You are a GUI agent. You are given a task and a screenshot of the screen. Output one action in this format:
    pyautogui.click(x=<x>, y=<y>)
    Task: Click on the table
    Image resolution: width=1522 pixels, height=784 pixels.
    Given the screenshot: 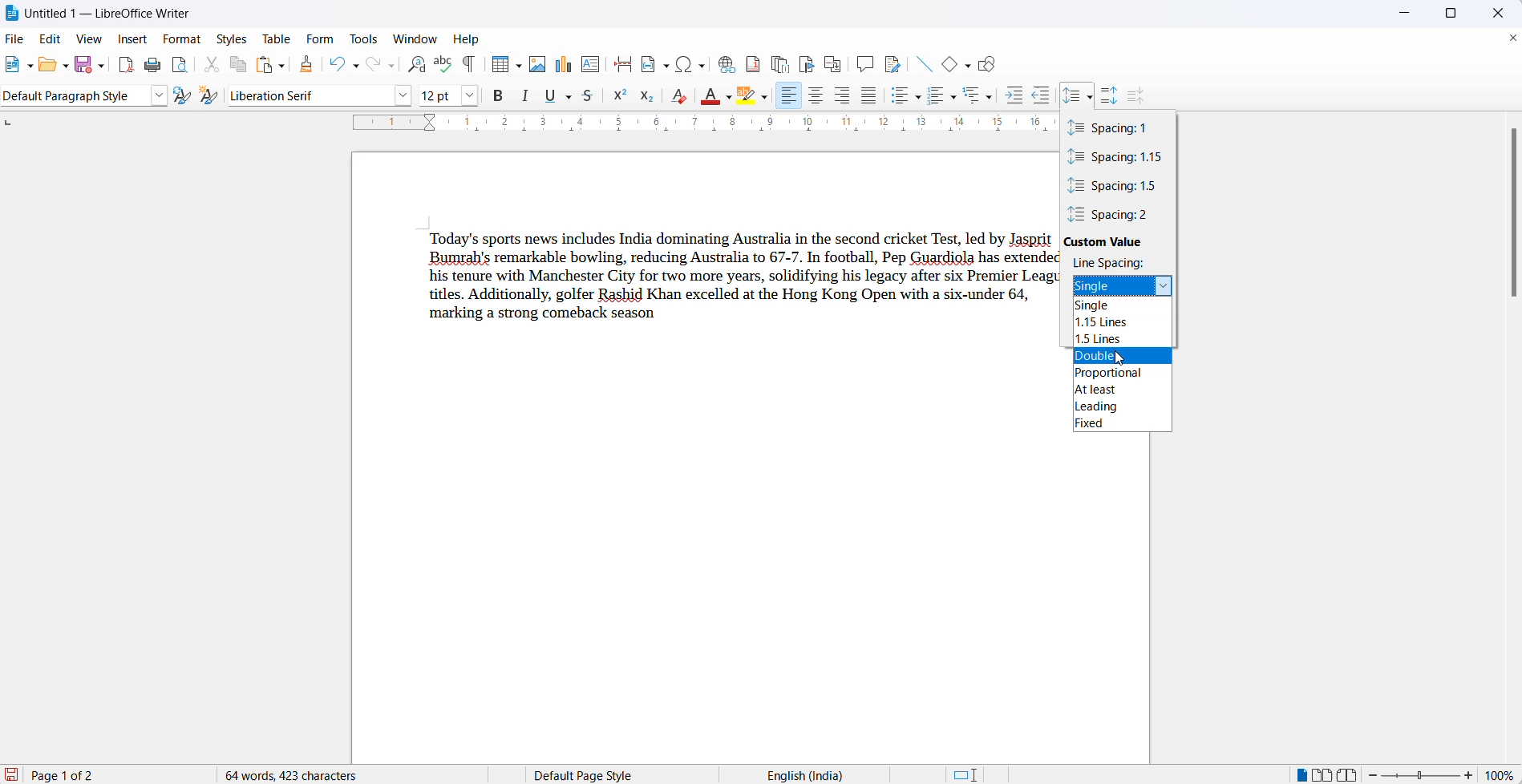 What is the action you would take?
    pyautogui.click(x=277, y=36)
    